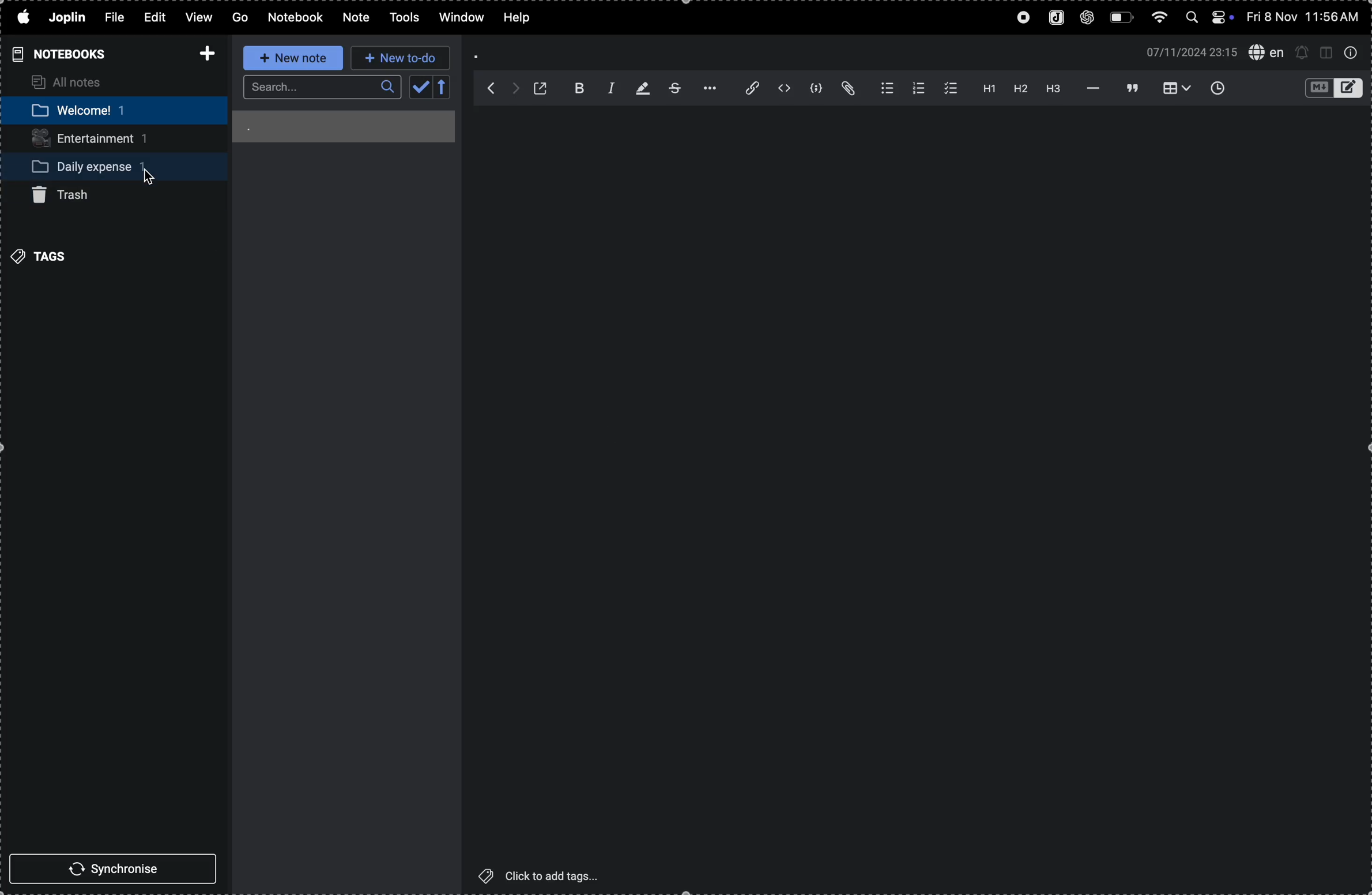  What do you see at coordinates (1216, 88) in the screenshot?
I see `insert time` at bounding box center [1216, 88].